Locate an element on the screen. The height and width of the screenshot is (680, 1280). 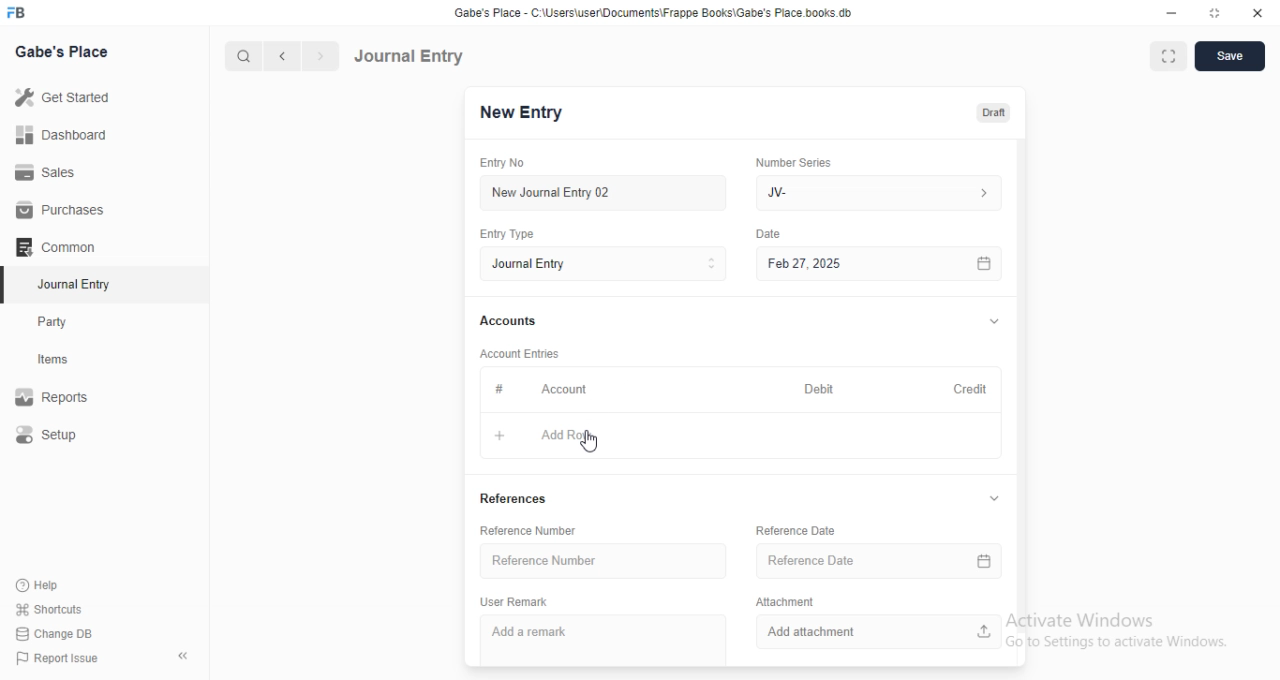
Search is located at coordinates (239, 56).